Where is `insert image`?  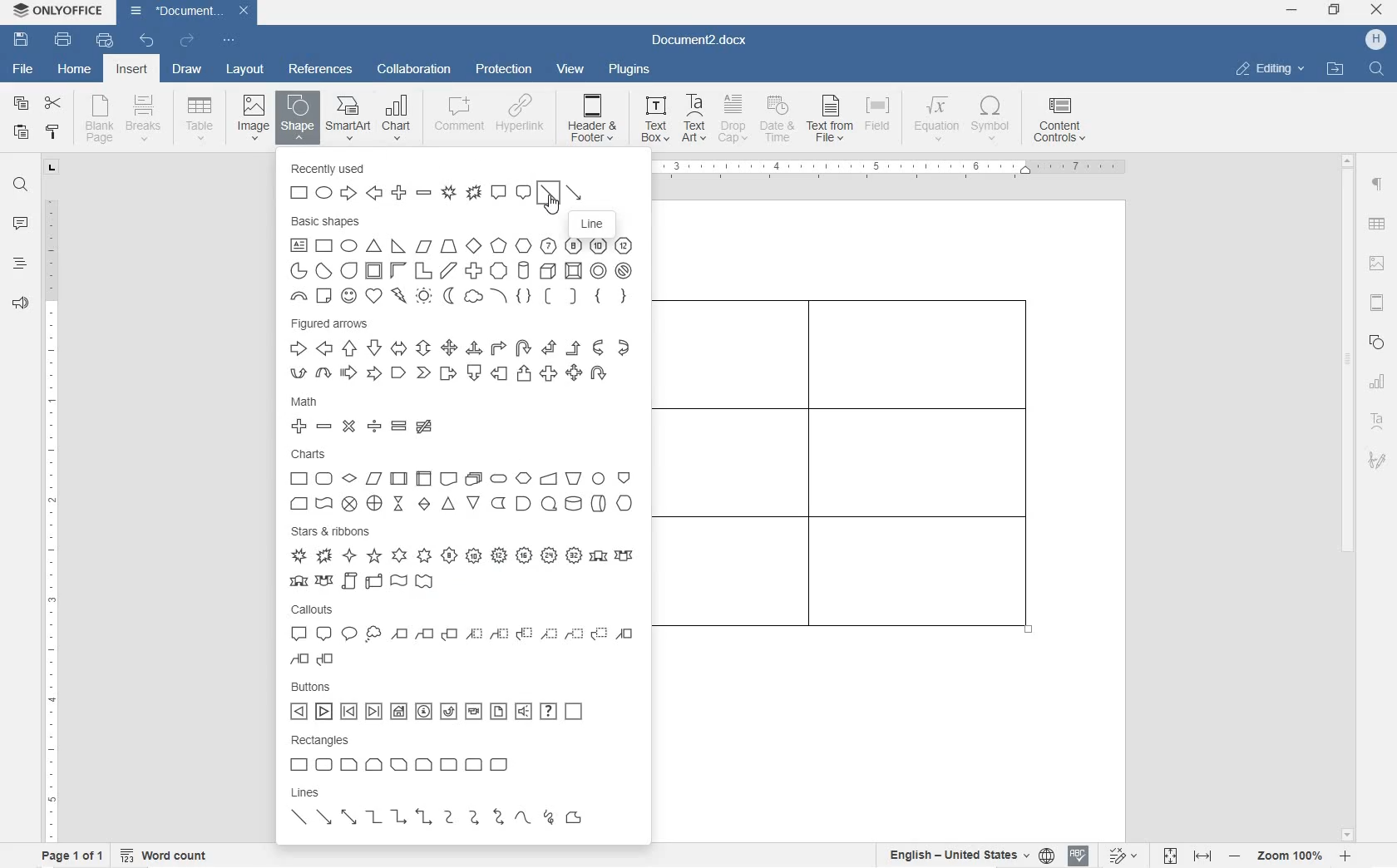 insert image is located at coordinates (254, 116).